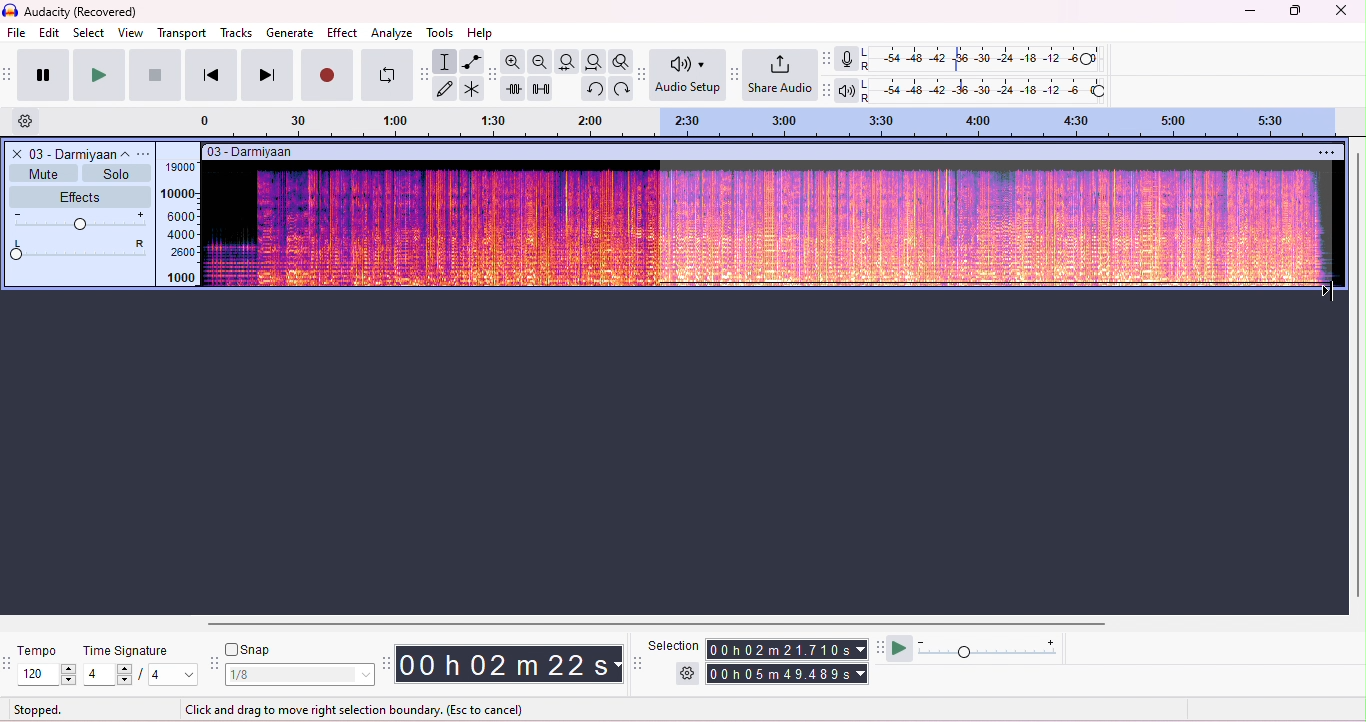 The image size is (1366, 722). What do you see at coordinates (27, 122) in the screenshot?
I see `timeline options` at bounding box center [27, 122].